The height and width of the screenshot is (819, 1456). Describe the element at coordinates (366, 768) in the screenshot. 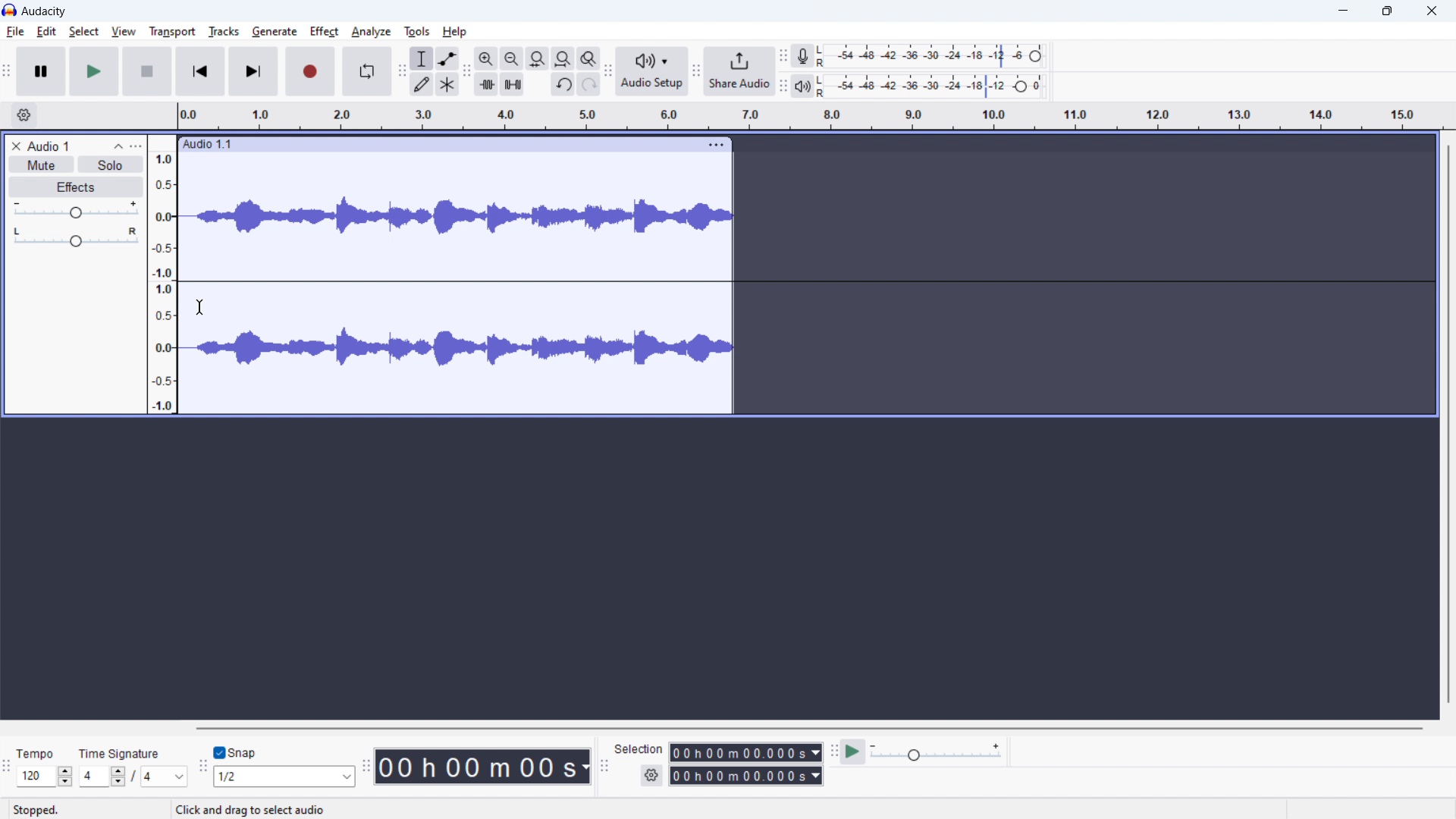

I see `time toolbar` at that location.